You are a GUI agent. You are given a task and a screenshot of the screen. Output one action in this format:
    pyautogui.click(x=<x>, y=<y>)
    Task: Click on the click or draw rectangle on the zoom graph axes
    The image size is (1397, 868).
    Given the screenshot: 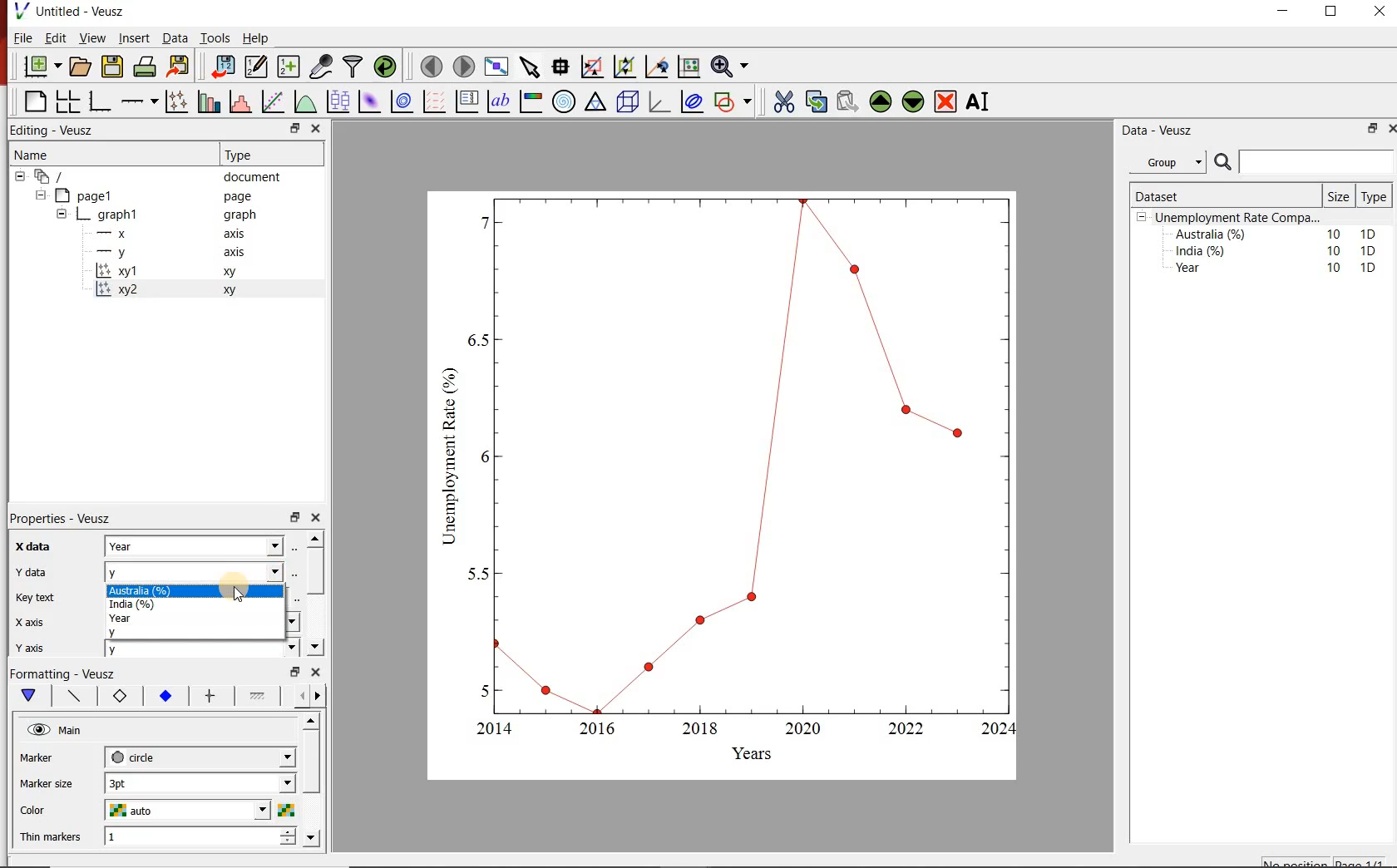 What is the action you would take?
    pyautogui.click(x=593, y=67)
    